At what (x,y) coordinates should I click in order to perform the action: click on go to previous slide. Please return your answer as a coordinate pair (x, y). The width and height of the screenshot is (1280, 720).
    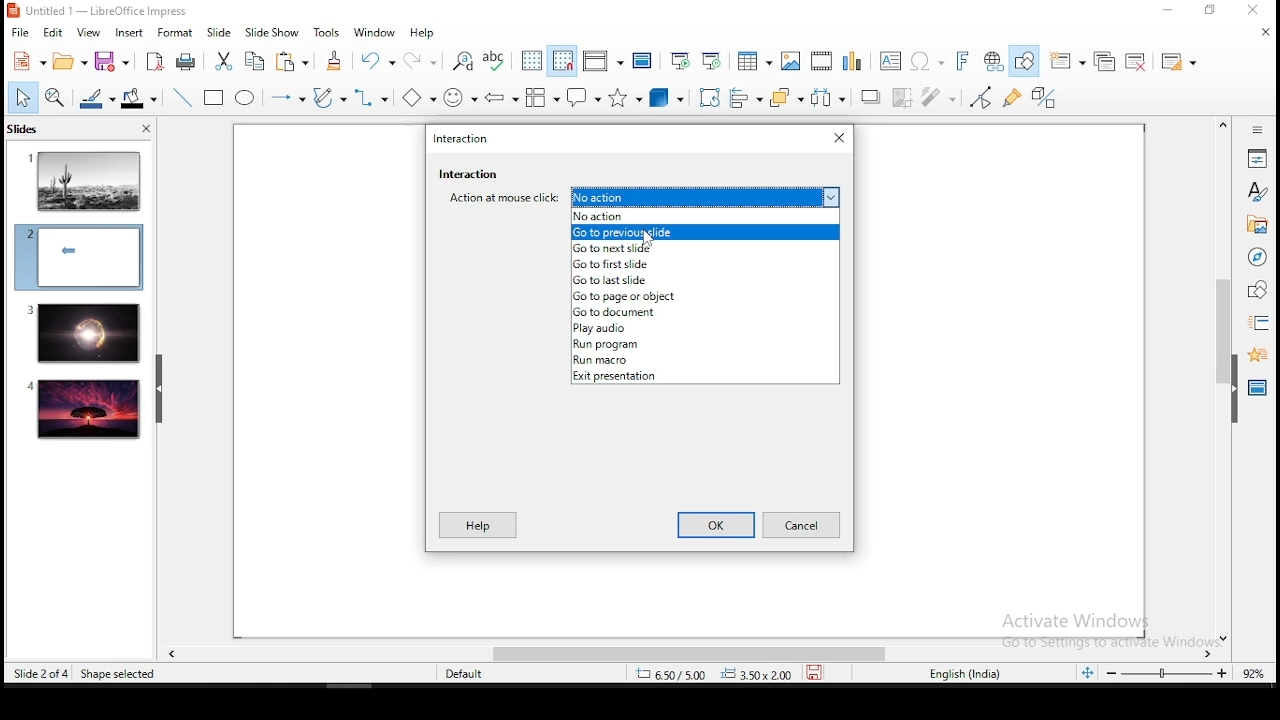
    Looking at the image, I should click on (706, 233).